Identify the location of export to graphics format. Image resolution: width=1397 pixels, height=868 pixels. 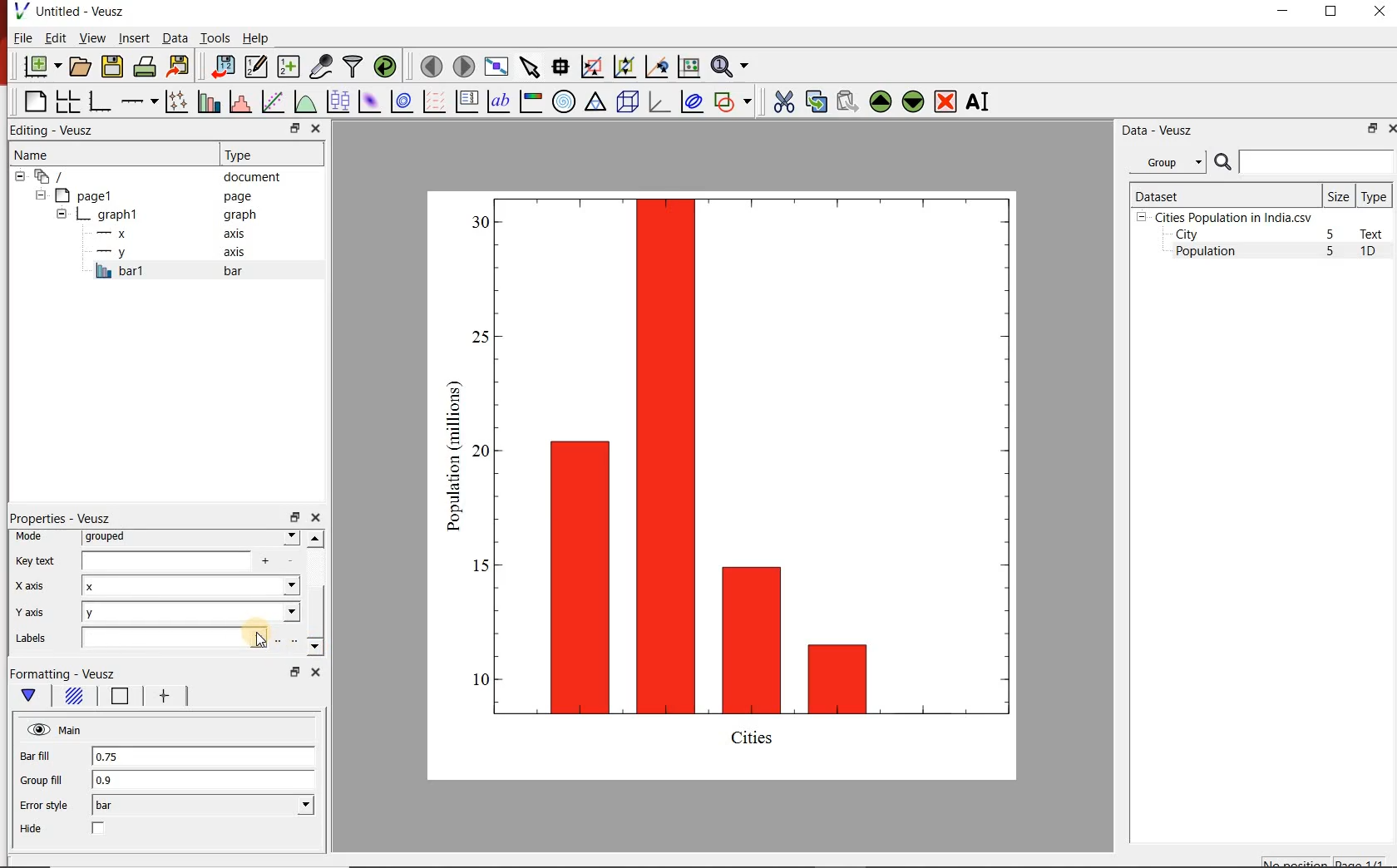
(179, 67).